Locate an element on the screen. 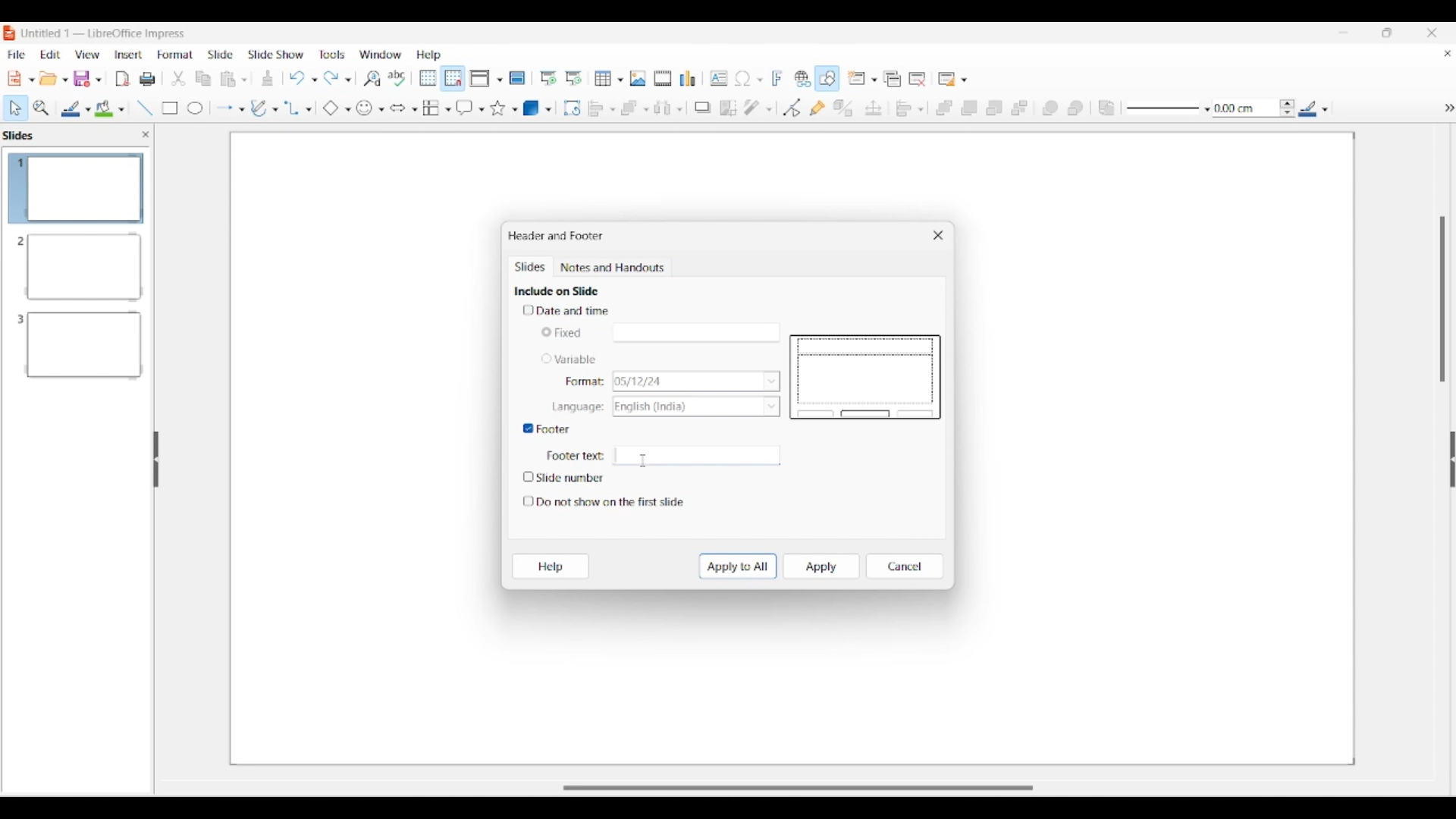 The image size is (1456, 819). Insert hyperlink is located at coordinates (803, 78).